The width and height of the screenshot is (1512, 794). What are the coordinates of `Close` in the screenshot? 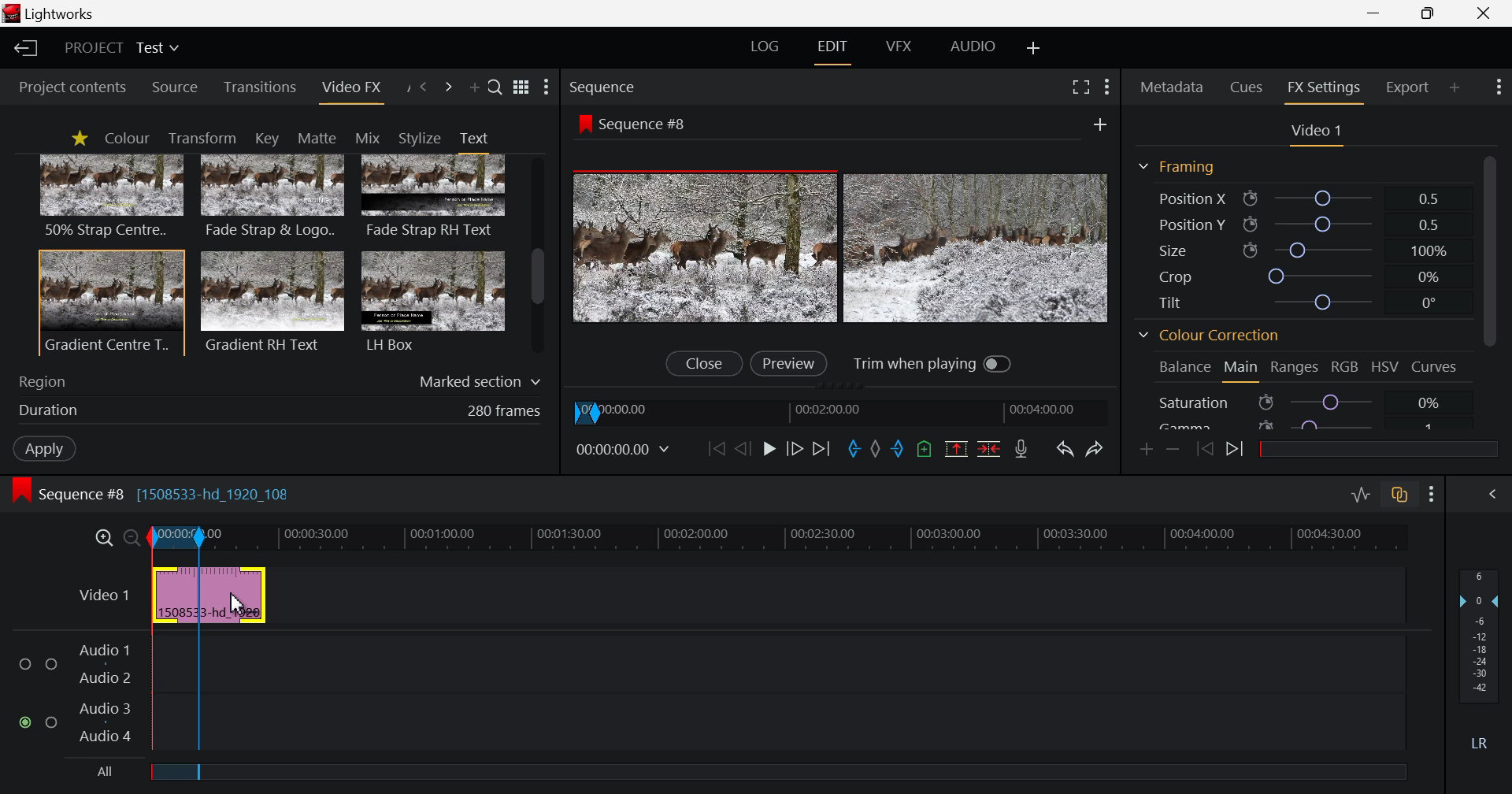 It's located at (1485, 13).